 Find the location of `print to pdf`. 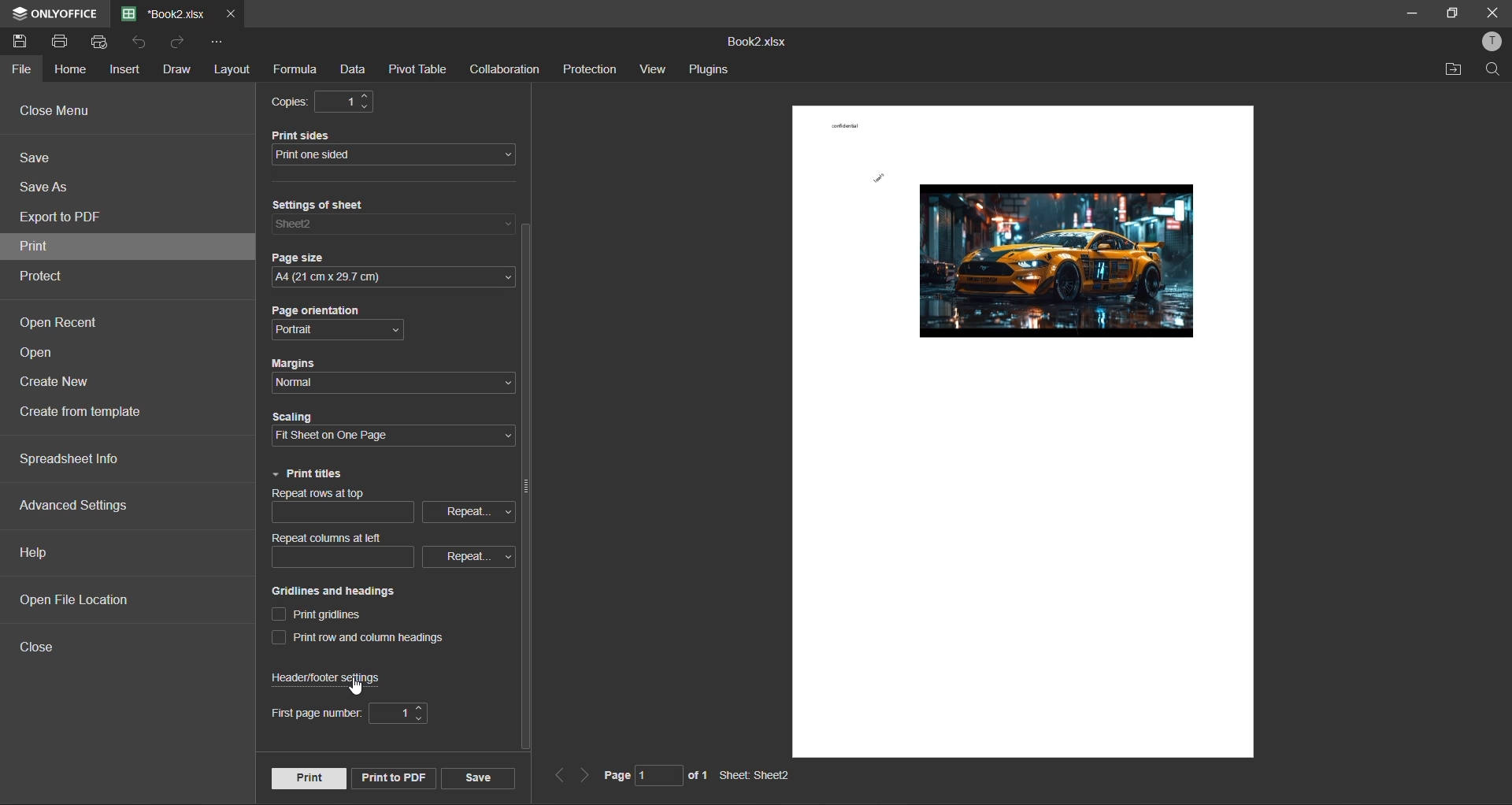

print to pdf is located at coordinates (394, 778).